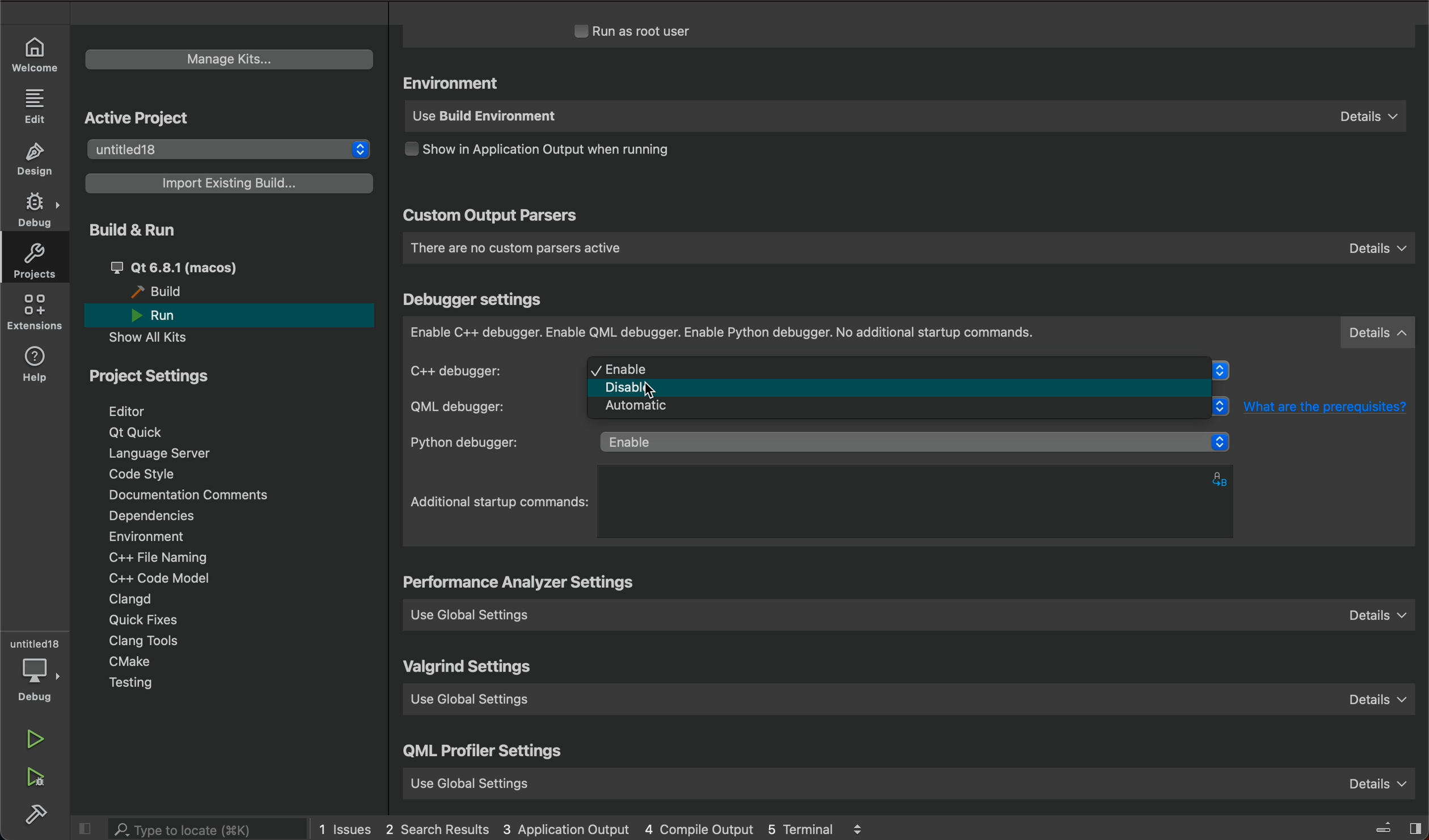 The height and width of the screenshot is (840, 1429). What do you see at coordinates (470, 668) in the screenshot?
I see `valgrind` at bounding box center [470, 668].